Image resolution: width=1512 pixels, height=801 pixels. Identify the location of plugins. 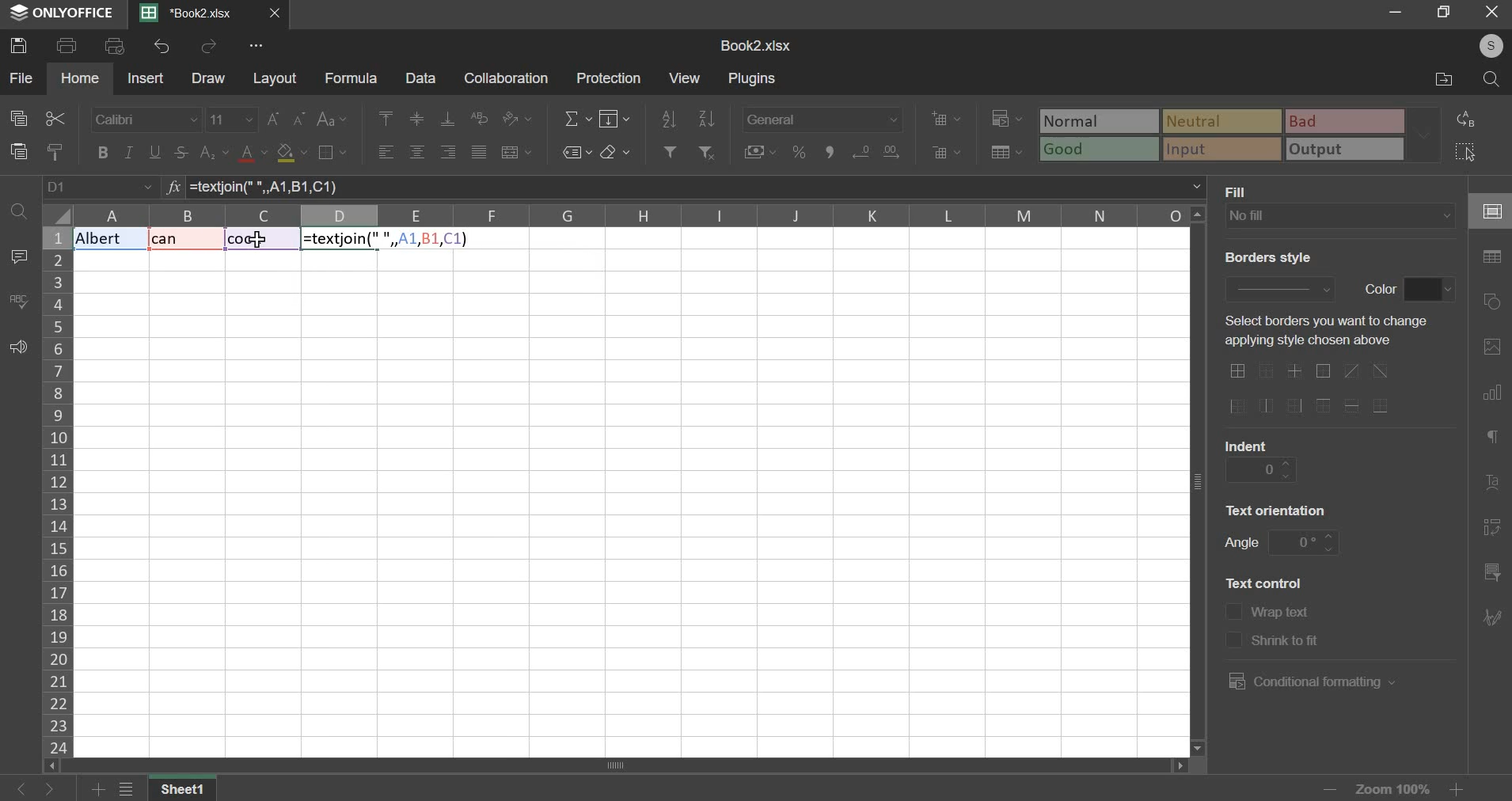
(754, 79).